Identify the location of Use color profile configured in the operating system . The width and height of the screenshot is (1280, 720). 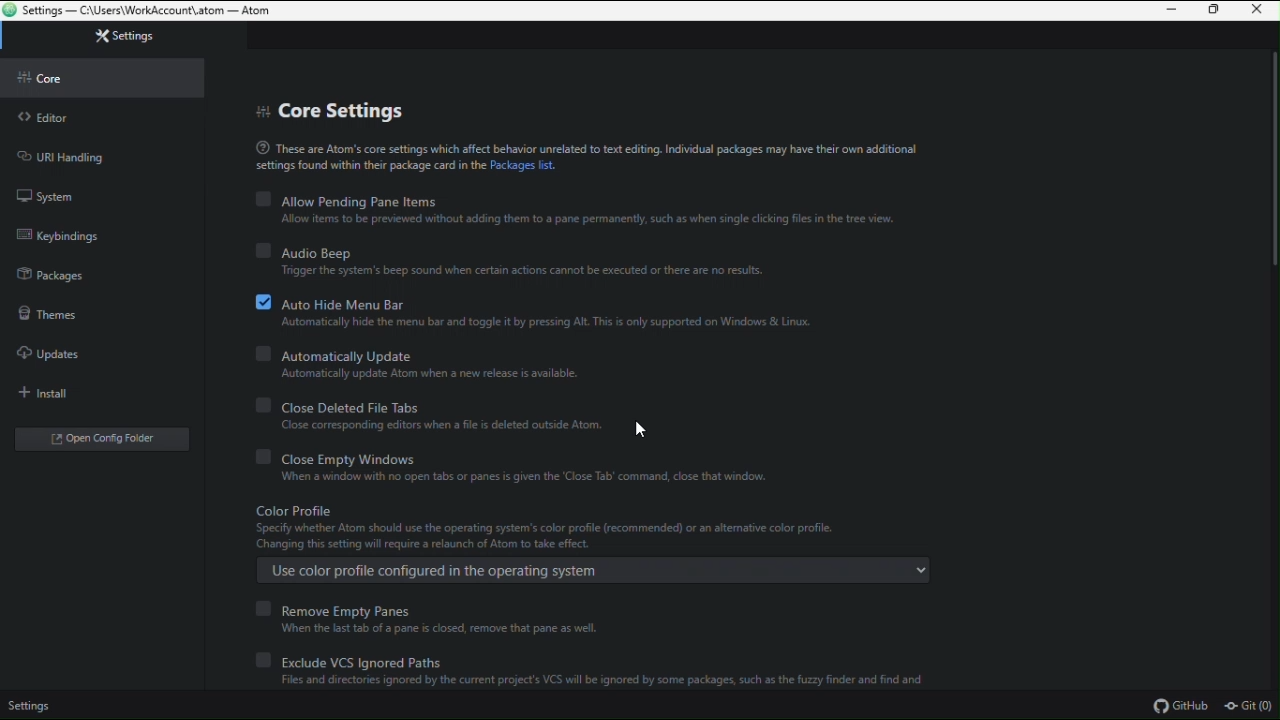
(596, 571).